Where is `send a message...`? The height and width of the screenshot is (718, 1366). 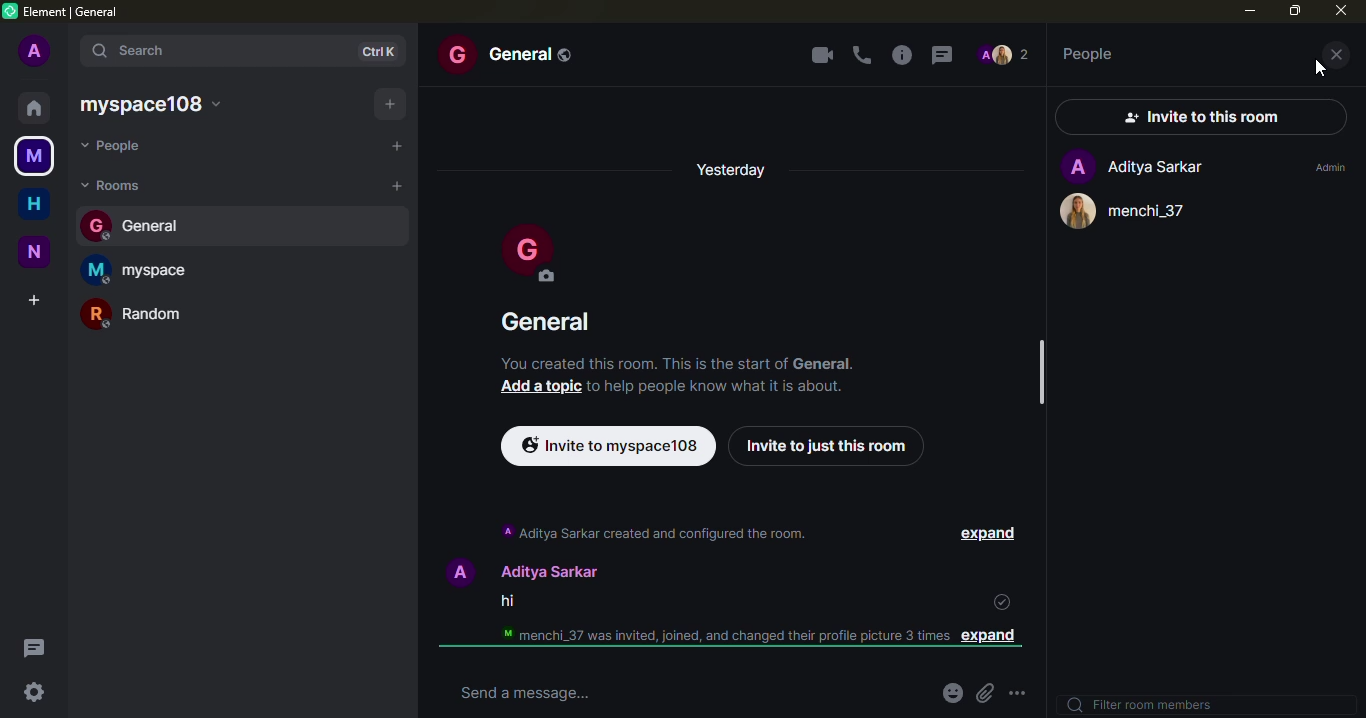
send a message... is located at coordinates (519, 692).